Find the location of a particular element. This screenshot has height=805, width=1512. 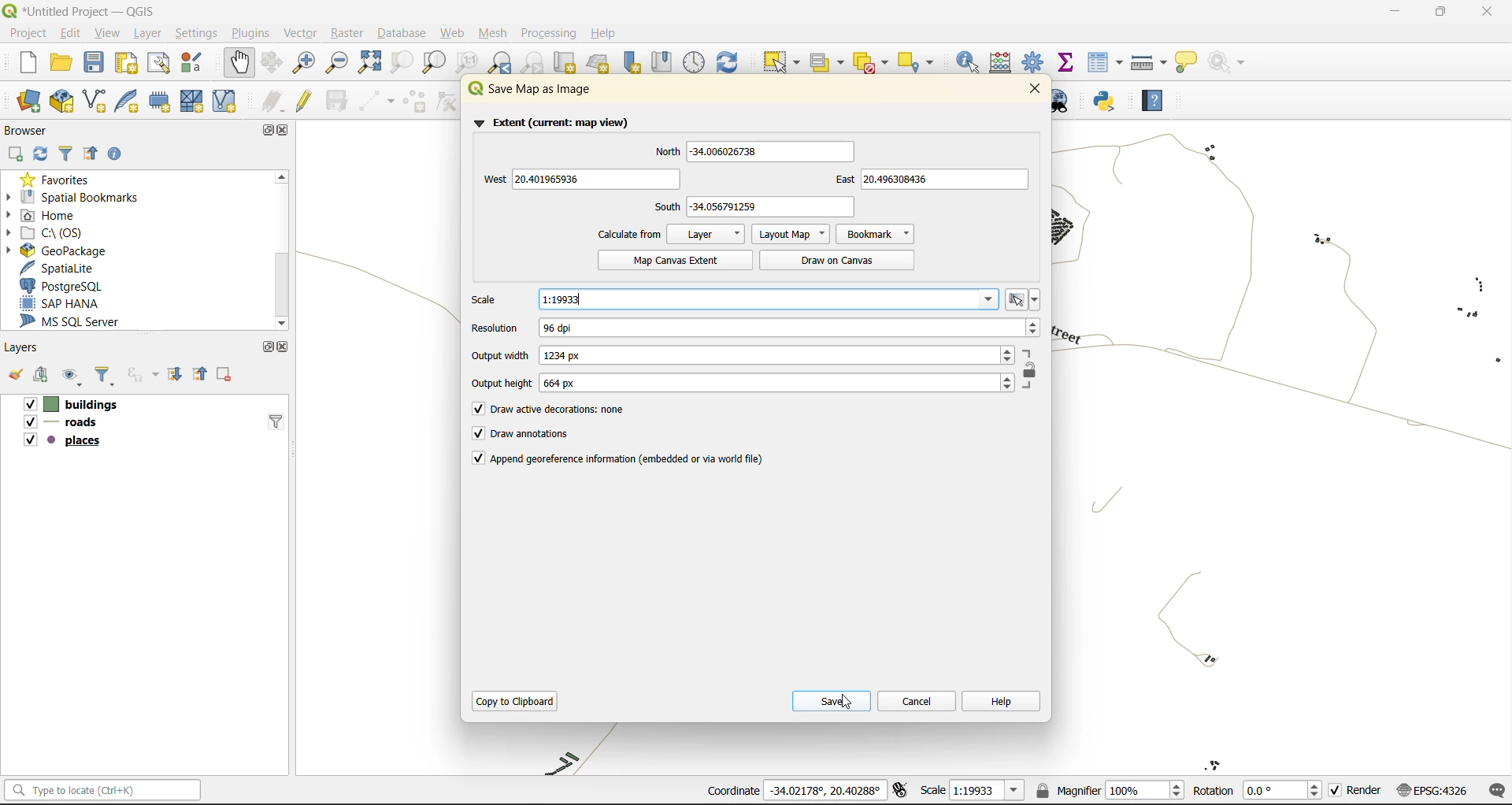

maximize is located at coordinates (268, 347).